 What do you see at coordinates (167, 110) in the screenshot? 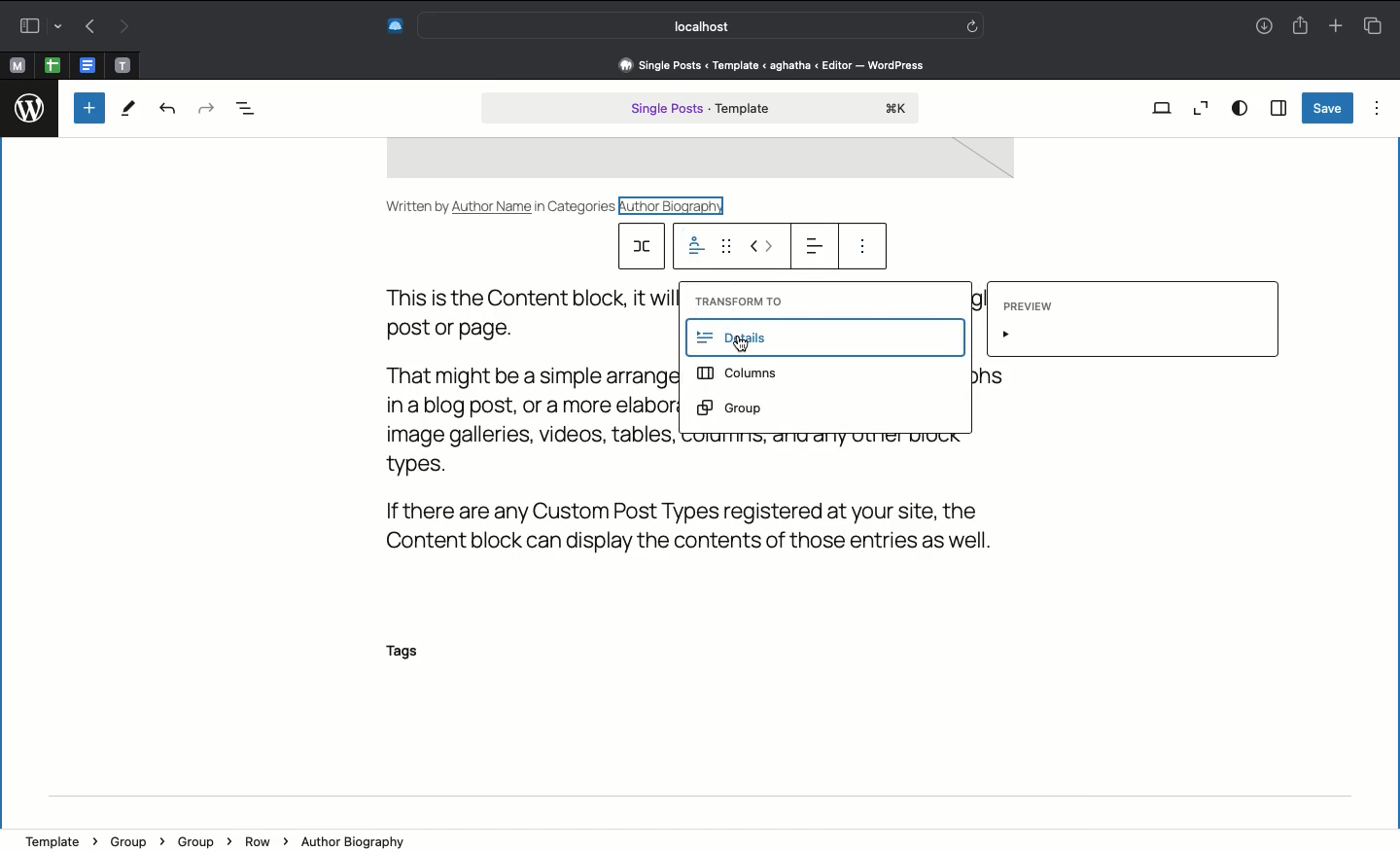
I see `Undo` at bounding box center [167, 110].